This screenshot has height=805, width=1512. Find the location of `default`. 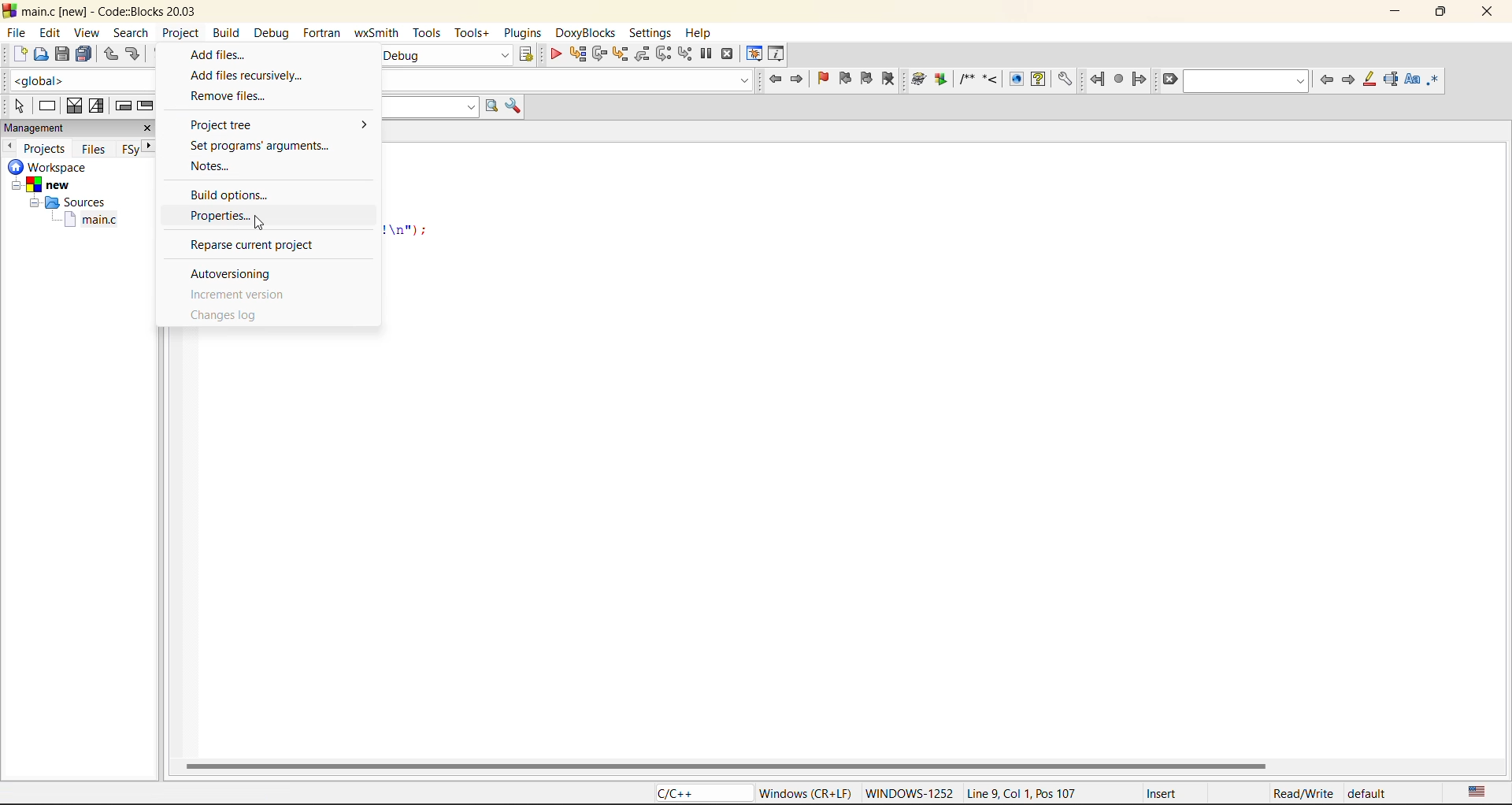

default is located at coordinates (1372, 796).